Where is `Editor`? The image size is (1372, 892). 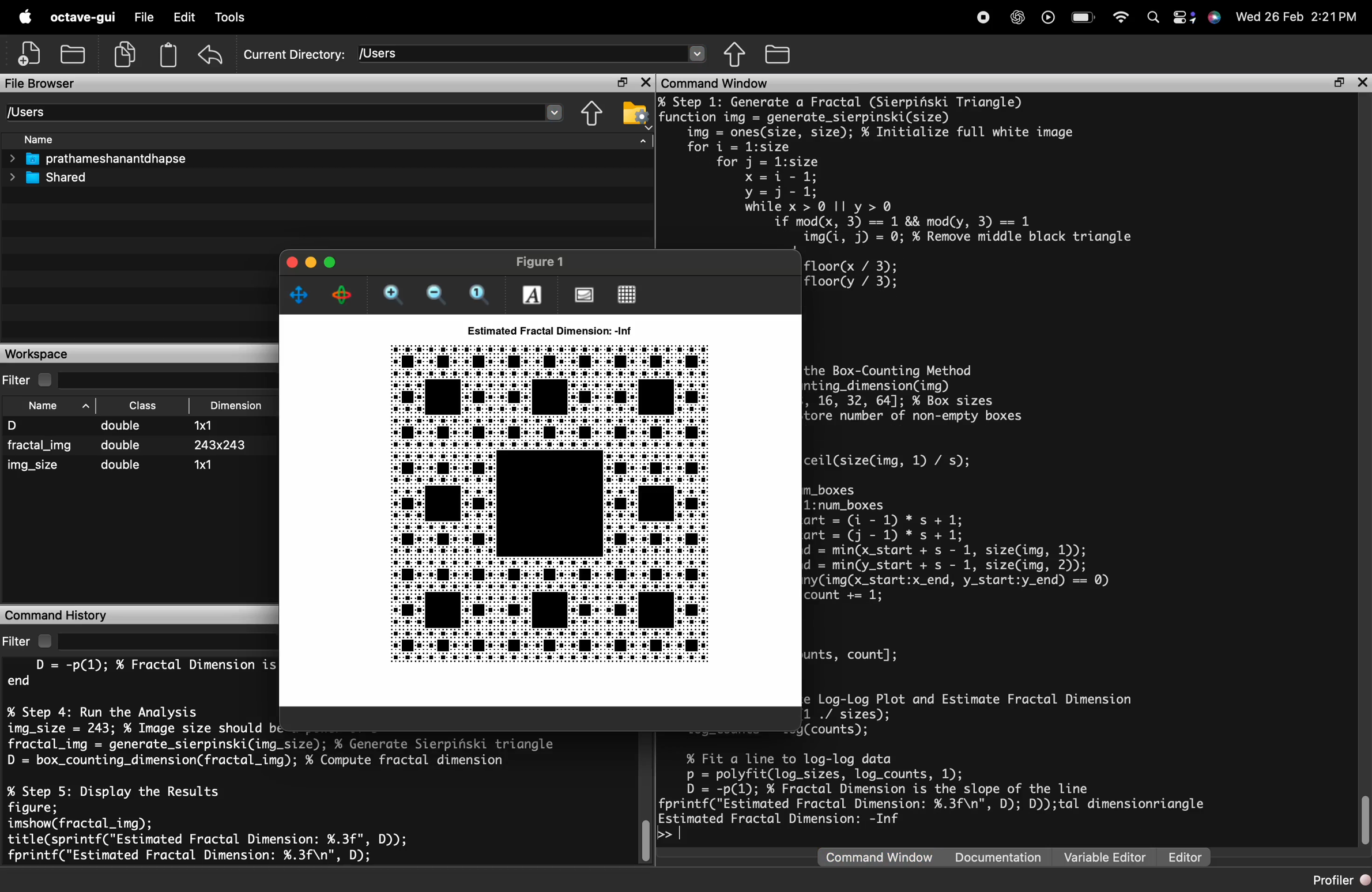 Editor is located at coordinates (1186, 855).